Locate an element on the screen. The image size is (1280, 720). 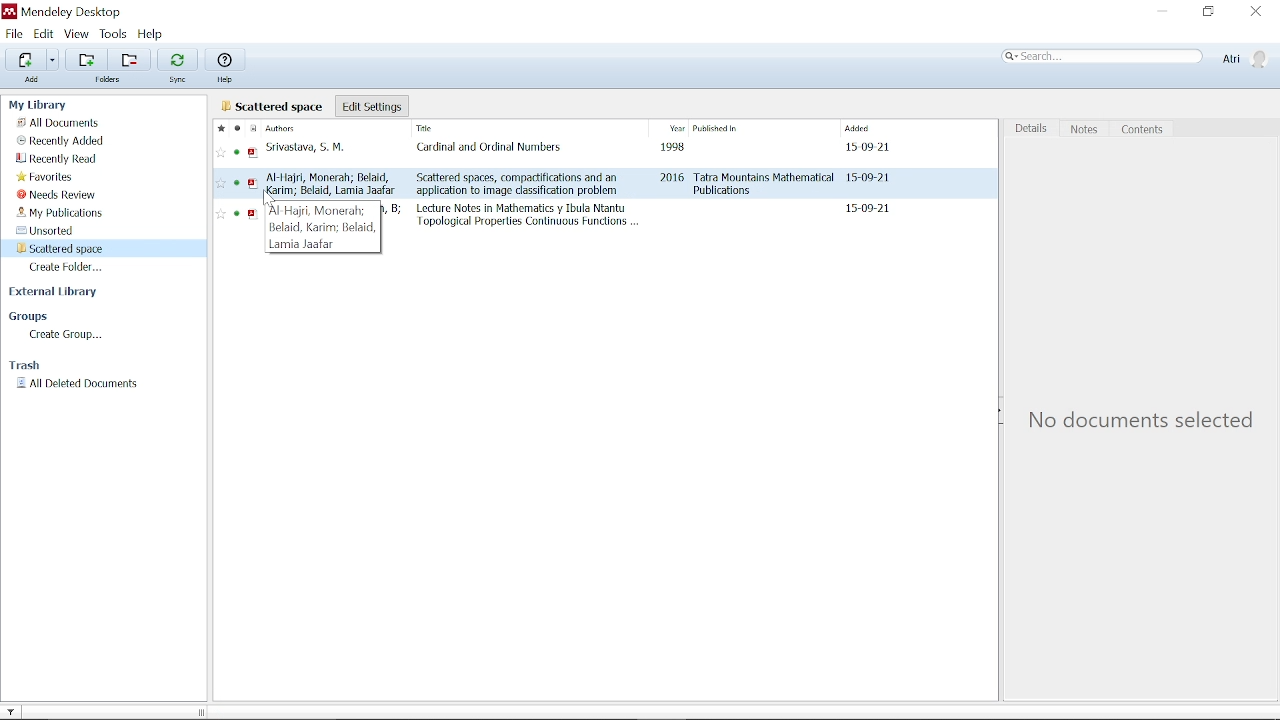
date is located at coordinates (866, 147).